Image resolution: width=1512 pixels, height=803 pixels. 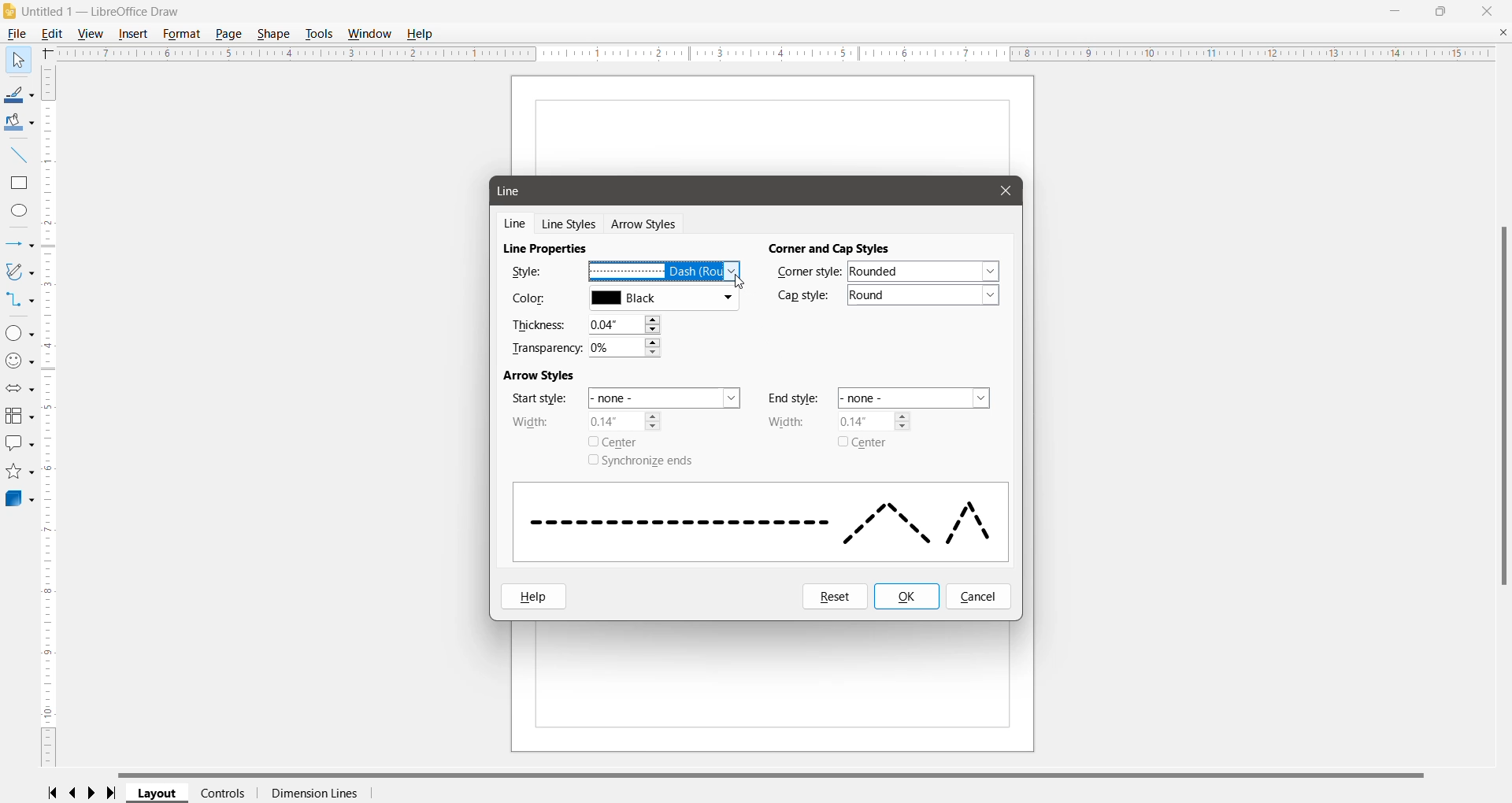 I want to click on Block Arrows, so click(x=20, y=389).